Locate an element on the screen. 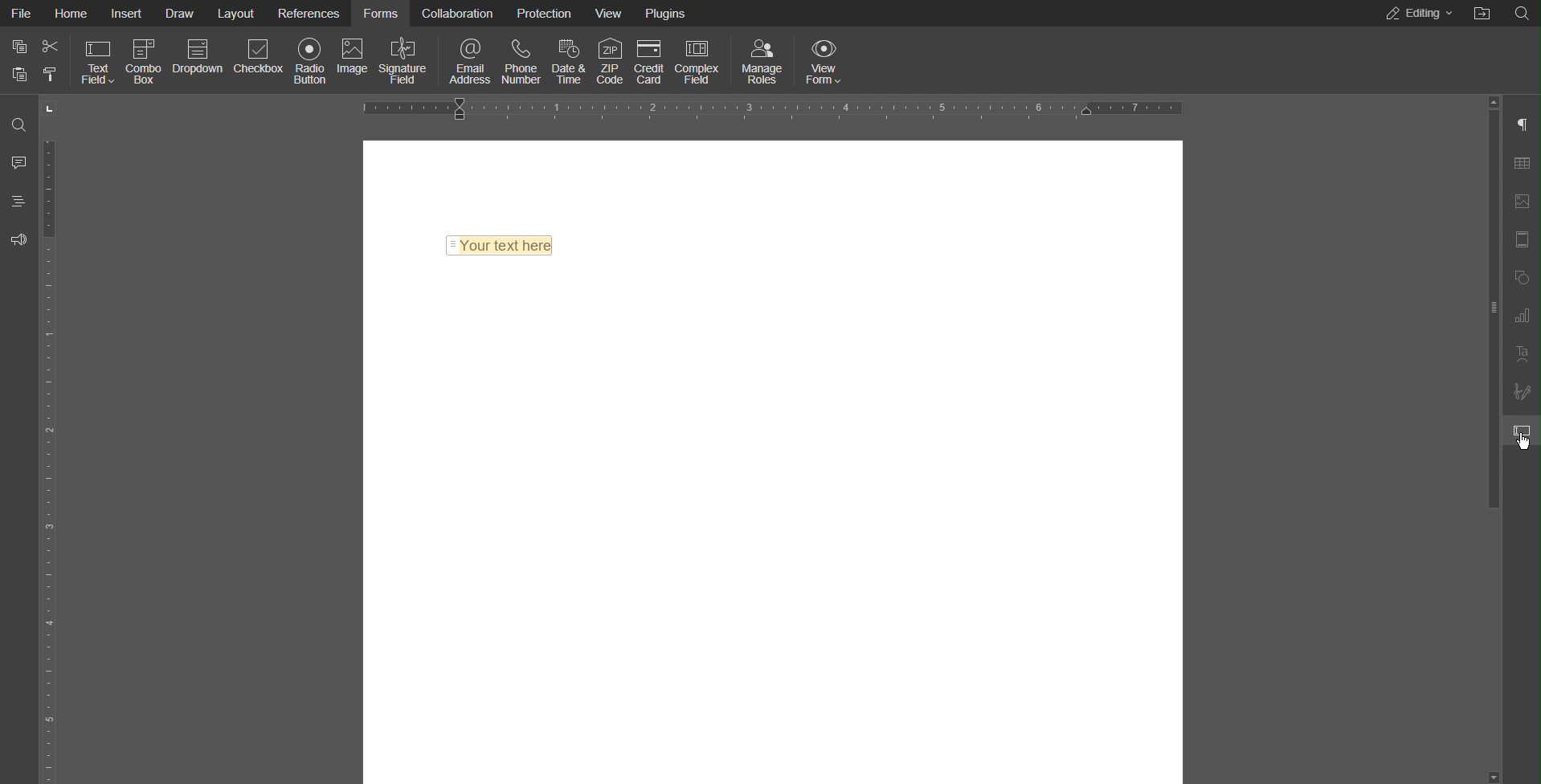  Editing is located at coordinates (1418, 14).